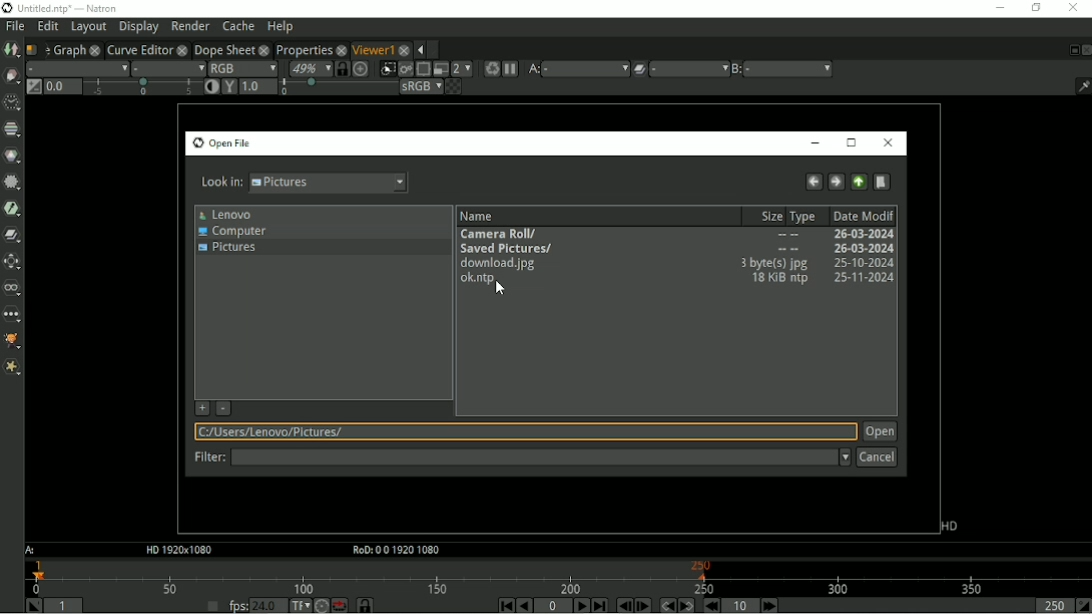  Describe the element at coordinates (12, 367) in the screenshot. I see `Extra` at that location.